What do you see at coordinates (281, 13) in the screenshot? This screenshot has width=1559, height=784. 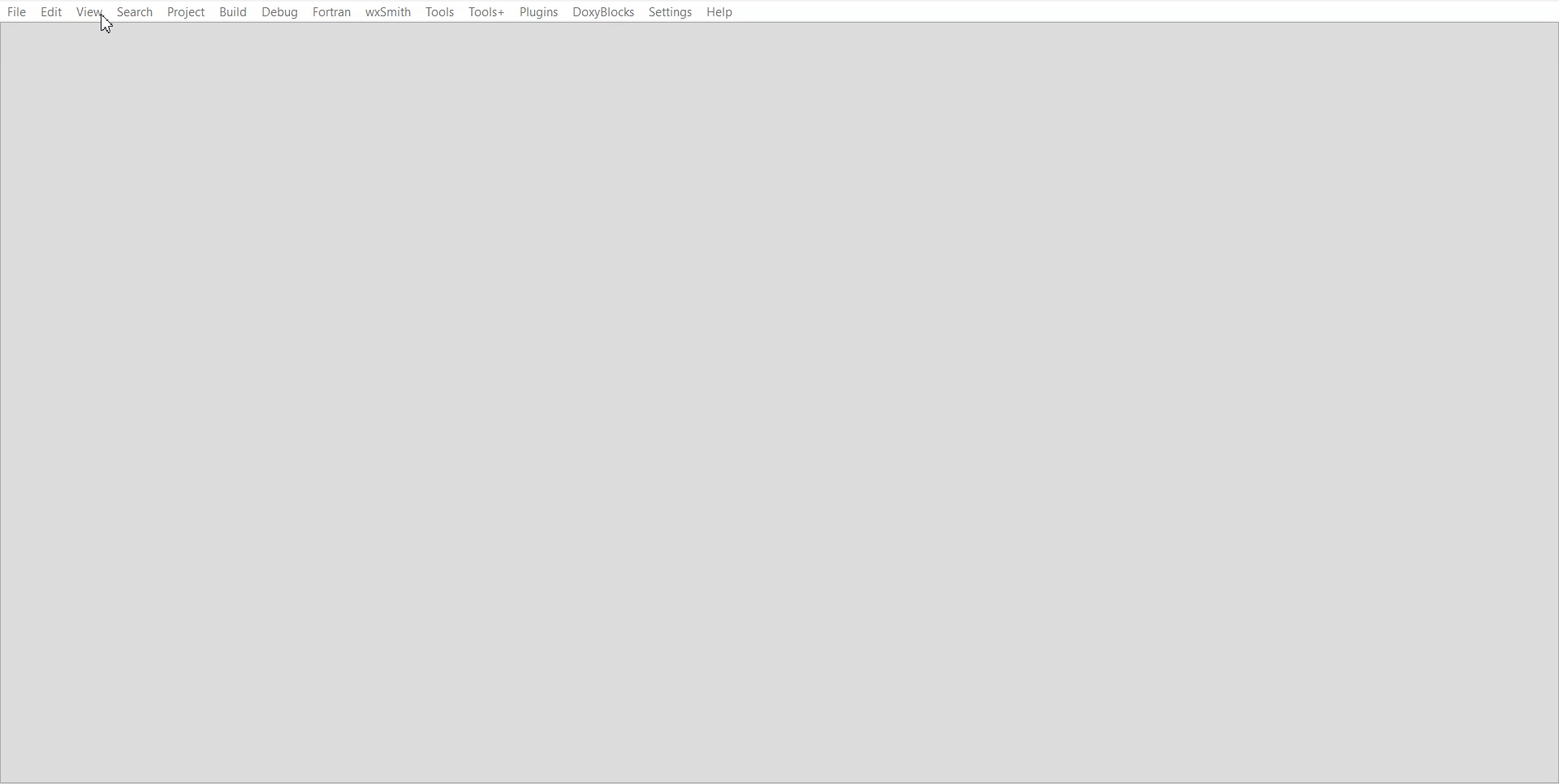 I see `Debug` at bounding box center [281, 13].